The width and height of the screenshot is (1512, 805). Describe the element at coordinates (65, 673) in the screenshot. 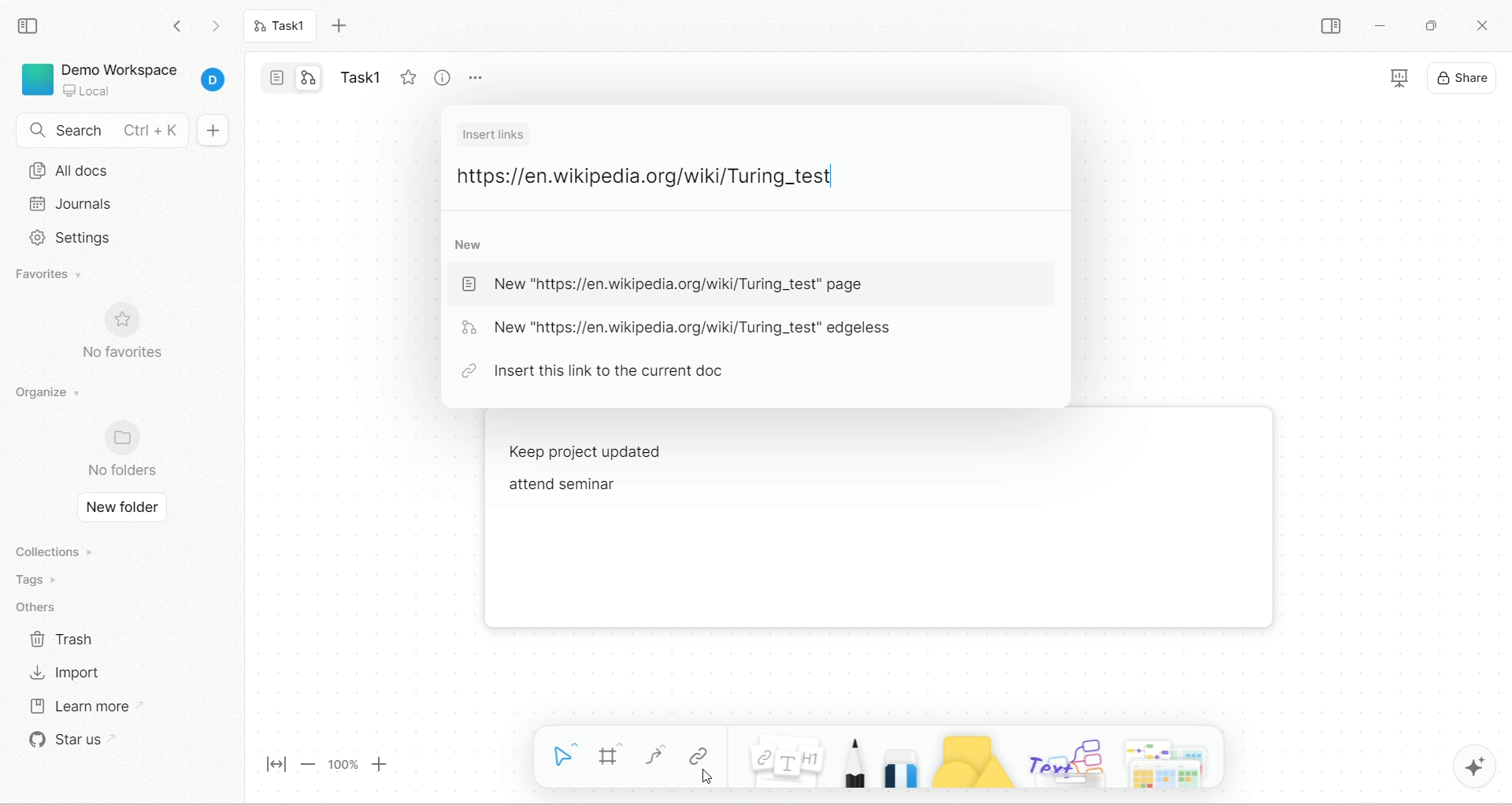

I see `import` at that location.